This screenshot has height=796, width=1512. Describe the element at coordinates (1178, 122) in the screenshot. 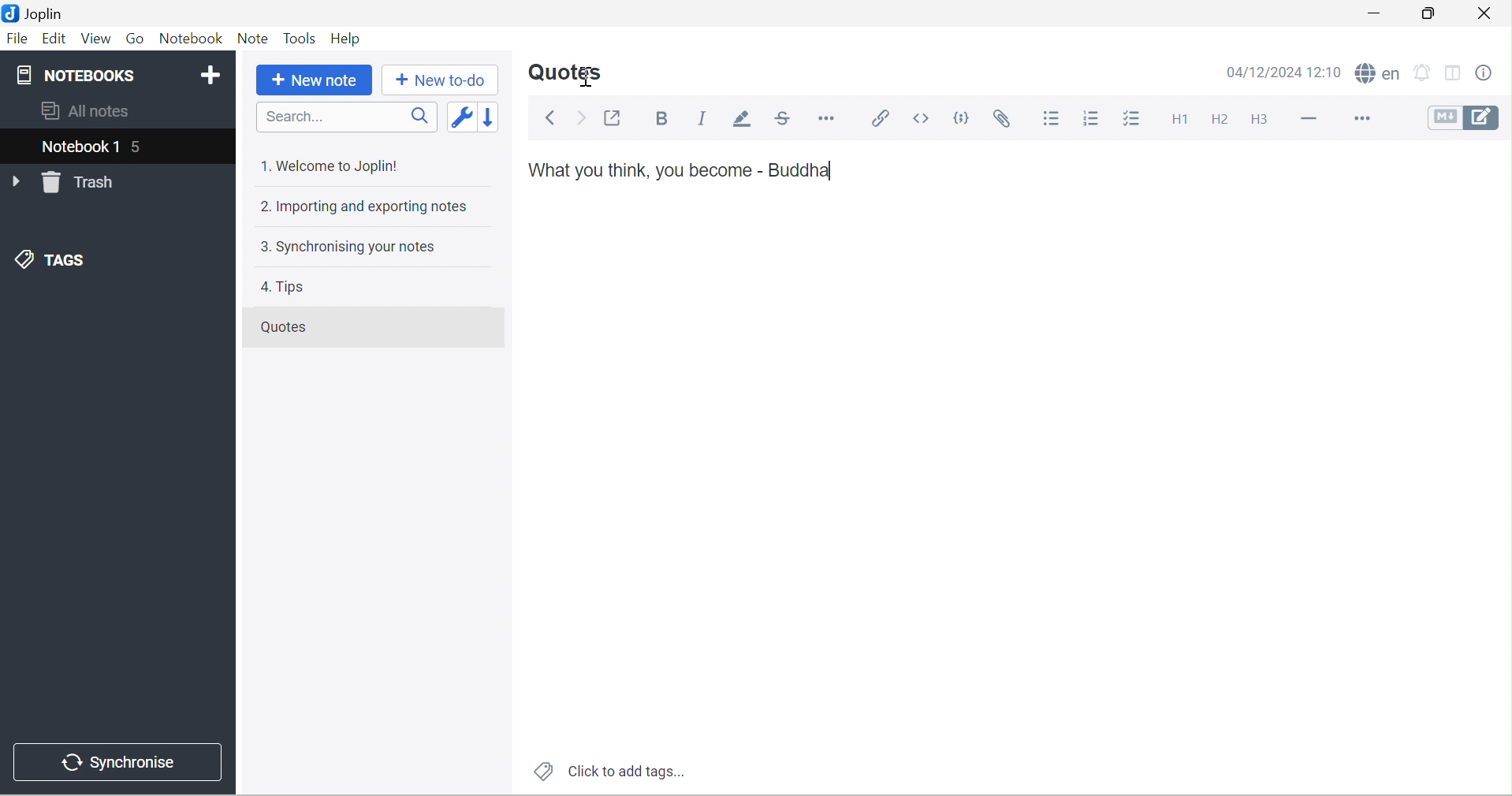

I see `Heading 1` at that location.